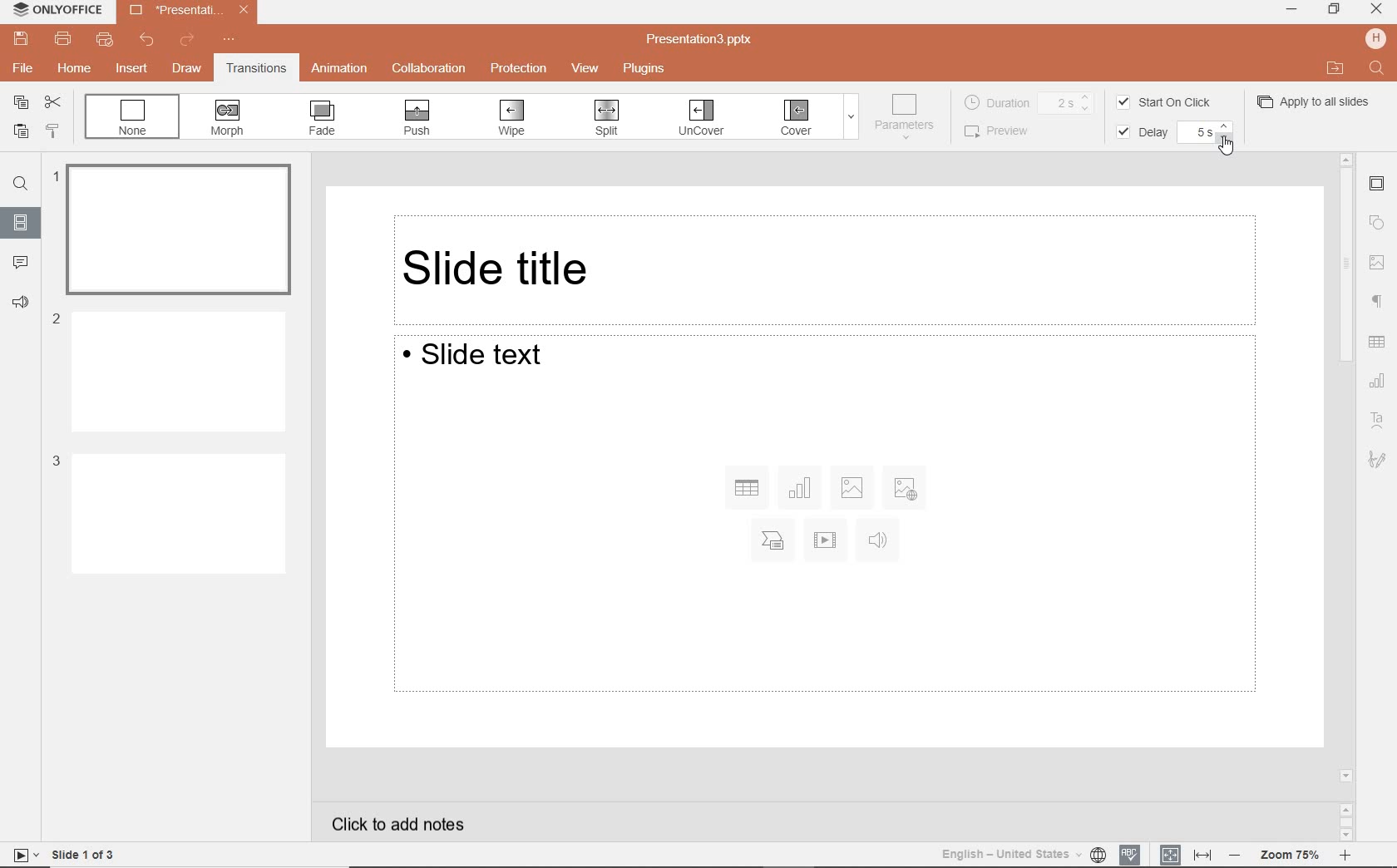  Describe the element at coordinates (1335, 10) in the screenshot. I see `RESTORE` at that location.